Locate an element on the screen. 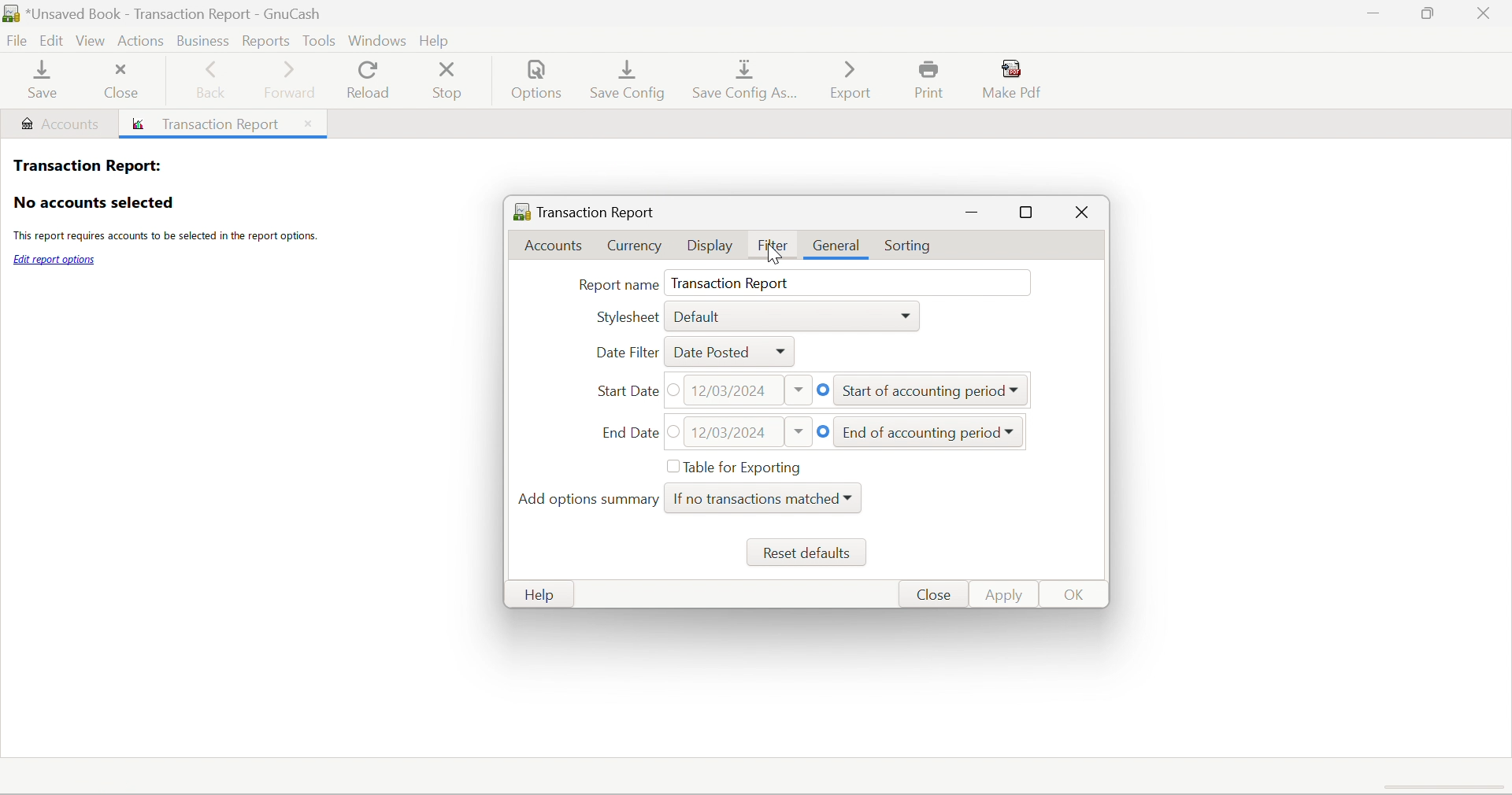 This screenshot has width=1512, height=795. General is located at coordinates (839, 246).